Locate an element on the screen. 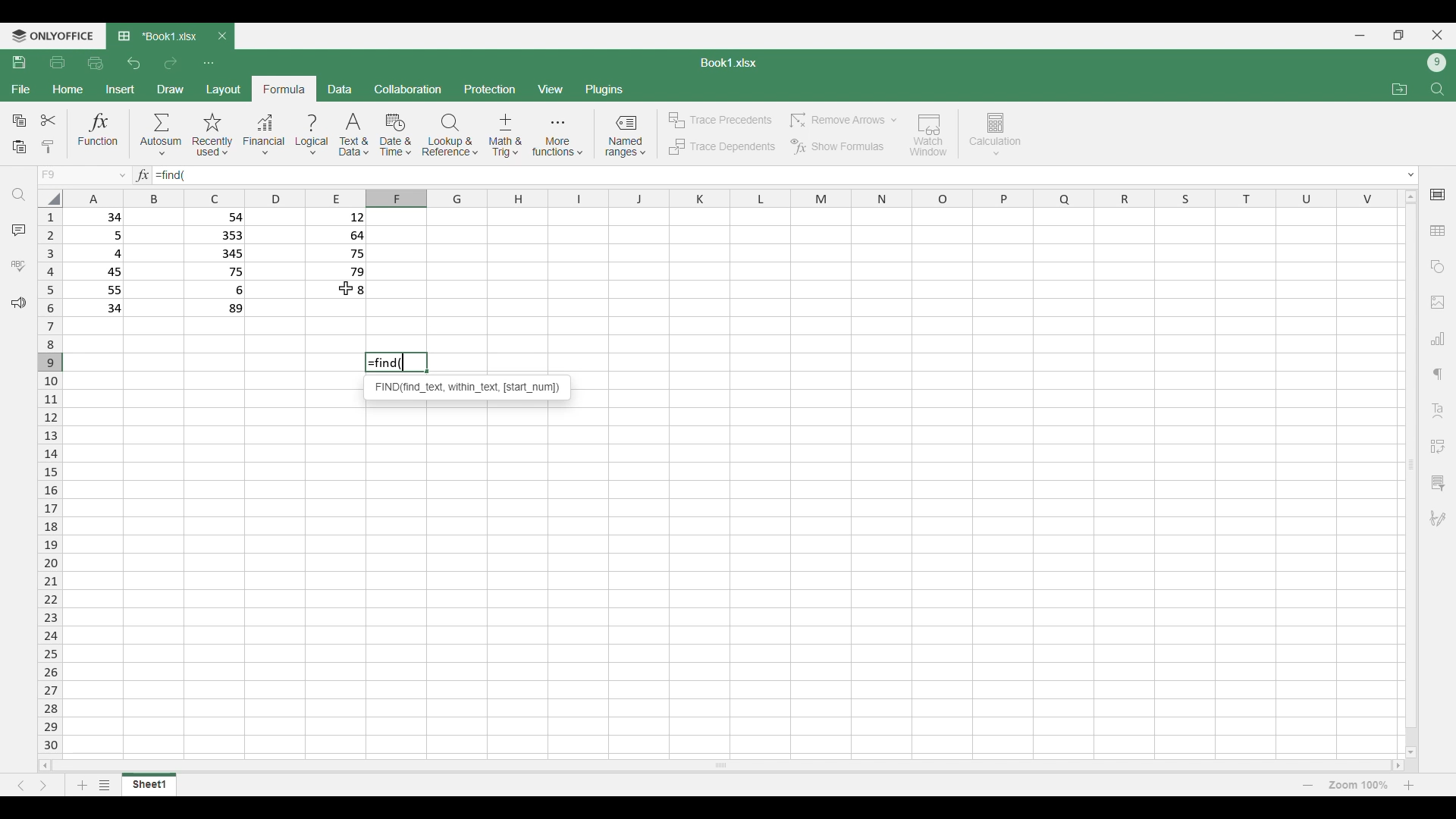 This screenshot has width=1456, height=819. Plugins menu is located at coordinates (604, 89).